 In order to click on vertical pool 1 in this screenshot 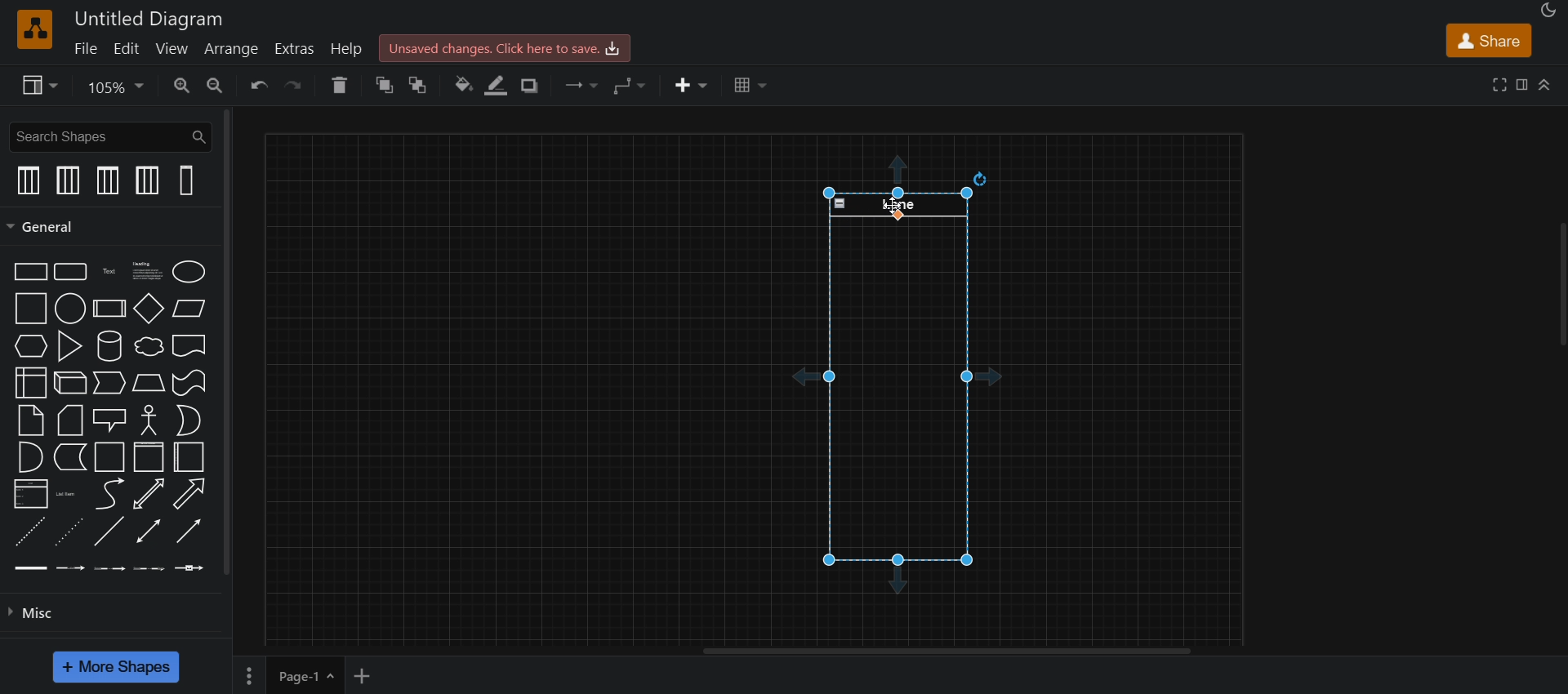, I will do `click(28, 180)`.